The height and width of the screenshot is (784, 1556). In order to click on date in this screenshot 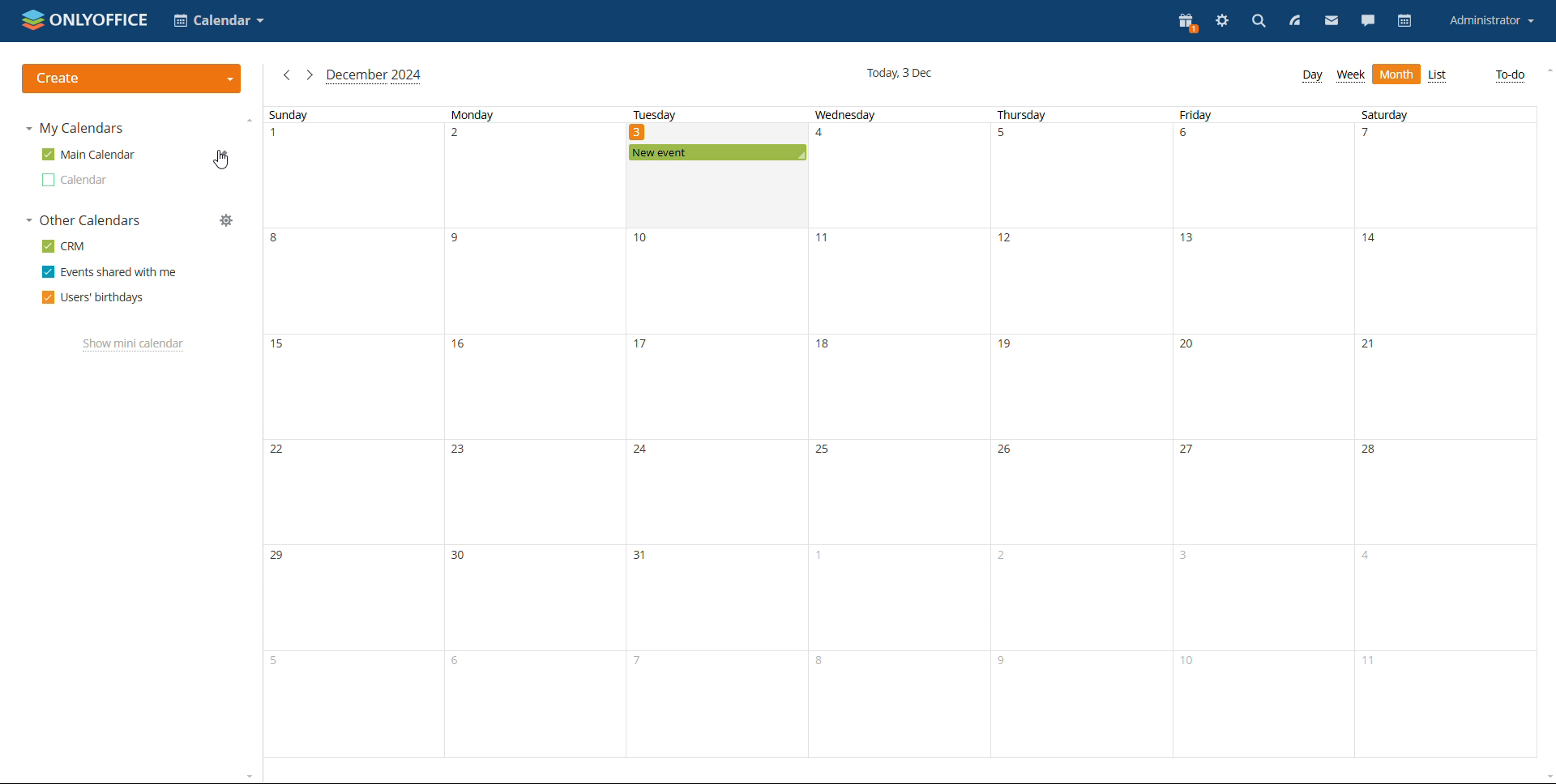, I will do `click(1079, 598)`.